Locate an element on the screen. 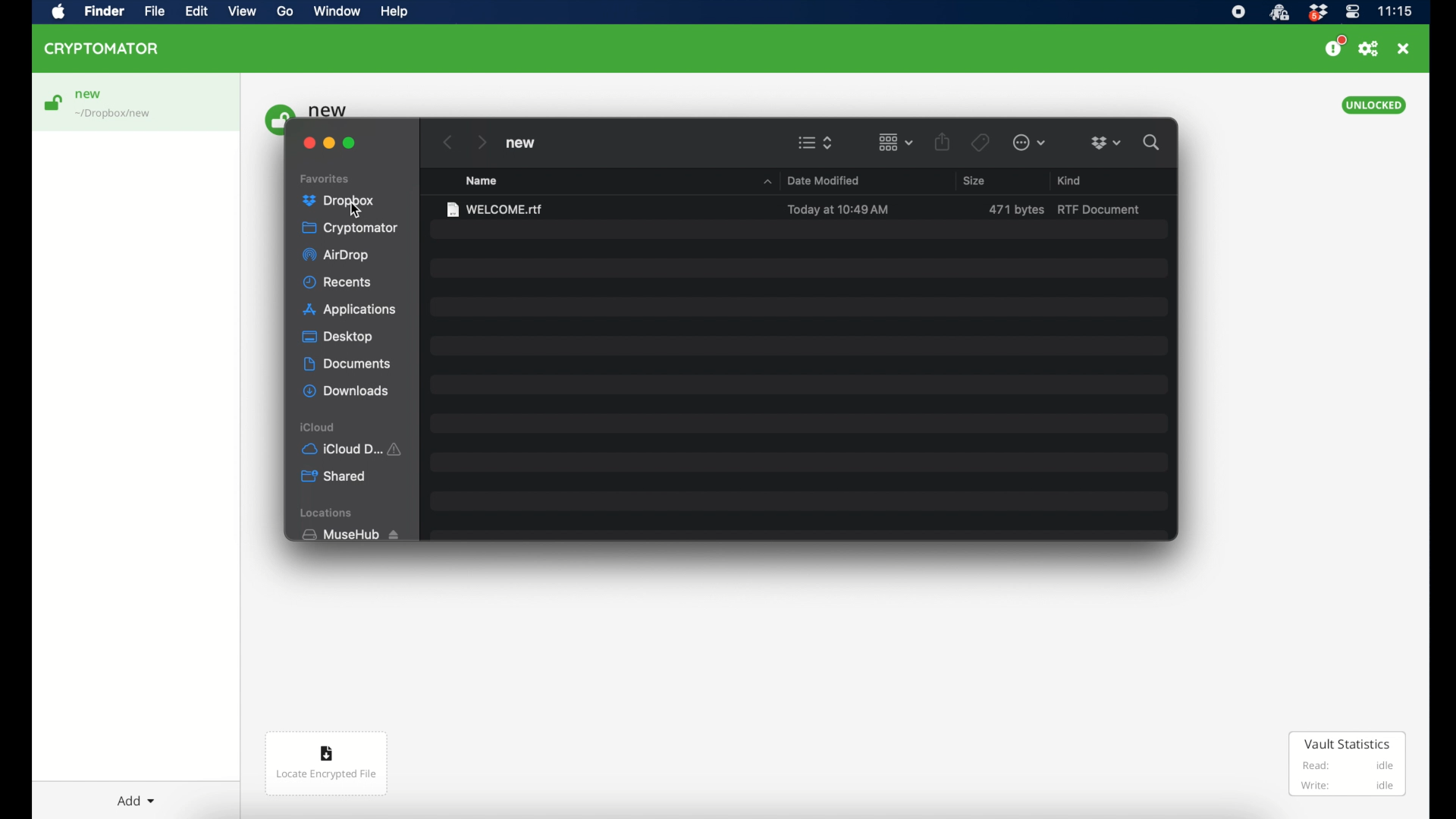 This screenshot has width=1456, height=819. maximize is located at coordinates (350, 143).